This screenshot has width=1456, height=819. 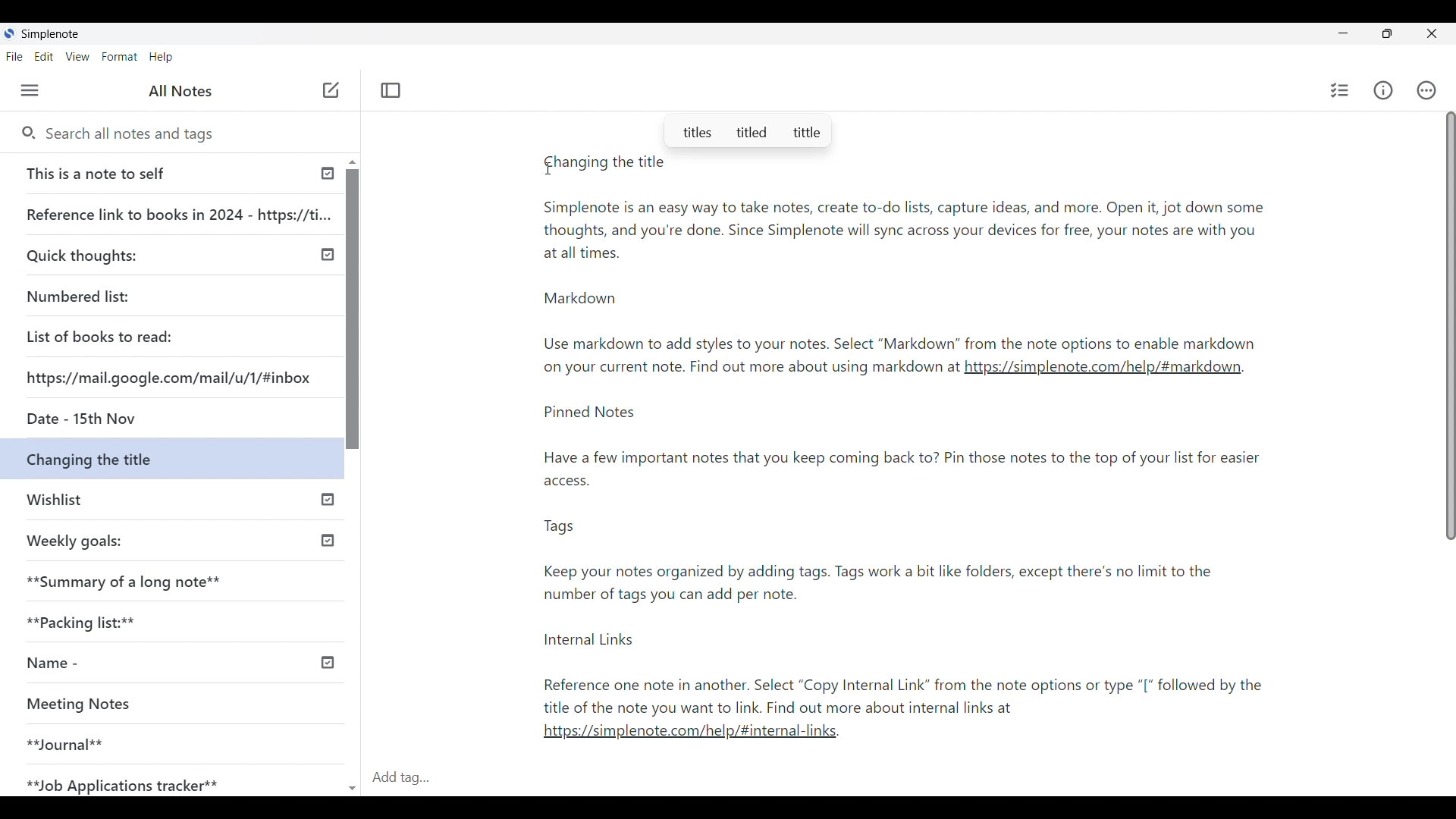 What do you see at coordinates (326, 538) in the screenshot?
I see `Check icon indicates published notes` at bounding box center [326, 538].